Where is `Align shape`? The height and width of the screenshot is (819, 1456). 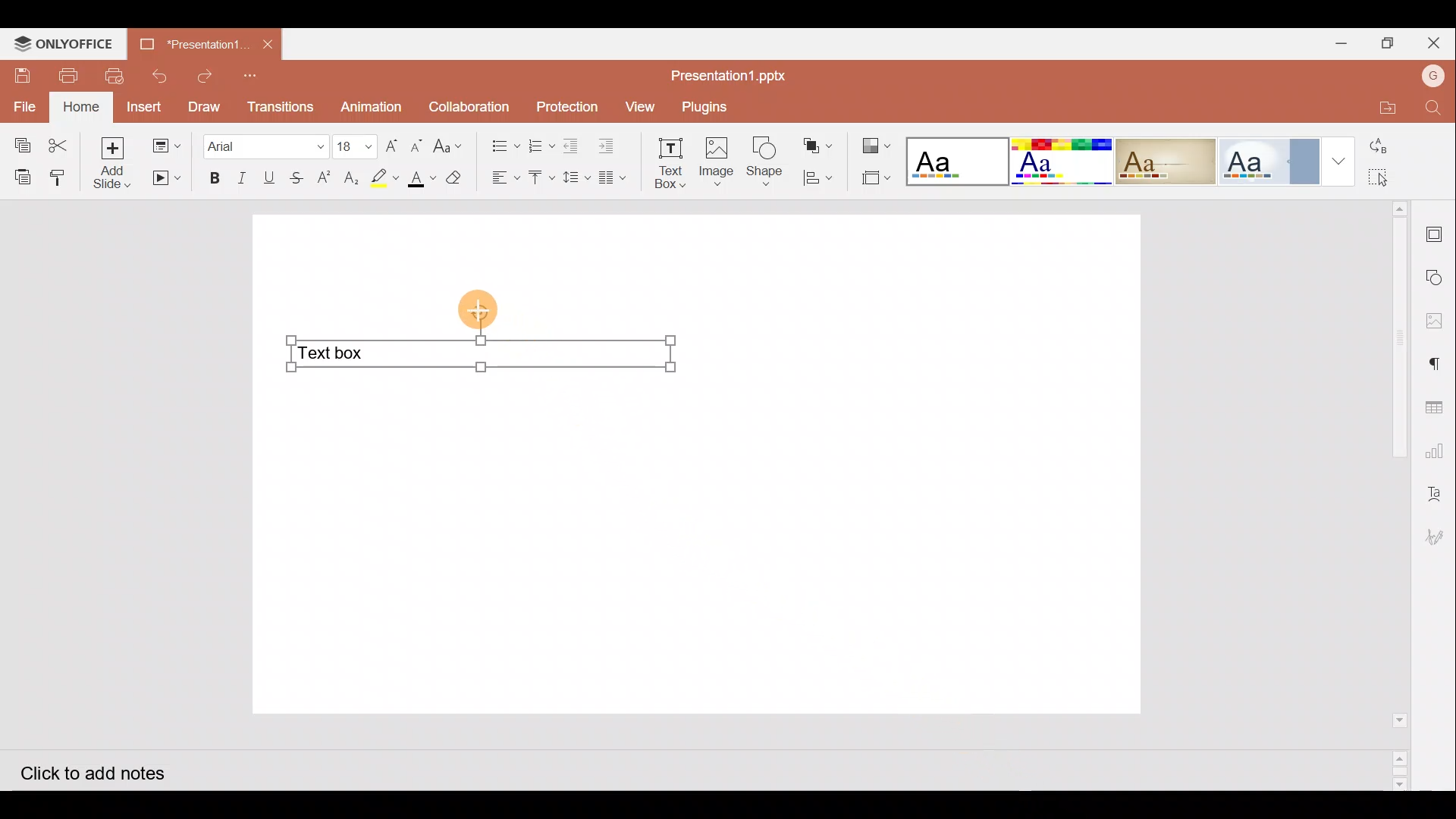
Align shape is located at coordinates (817, 176).